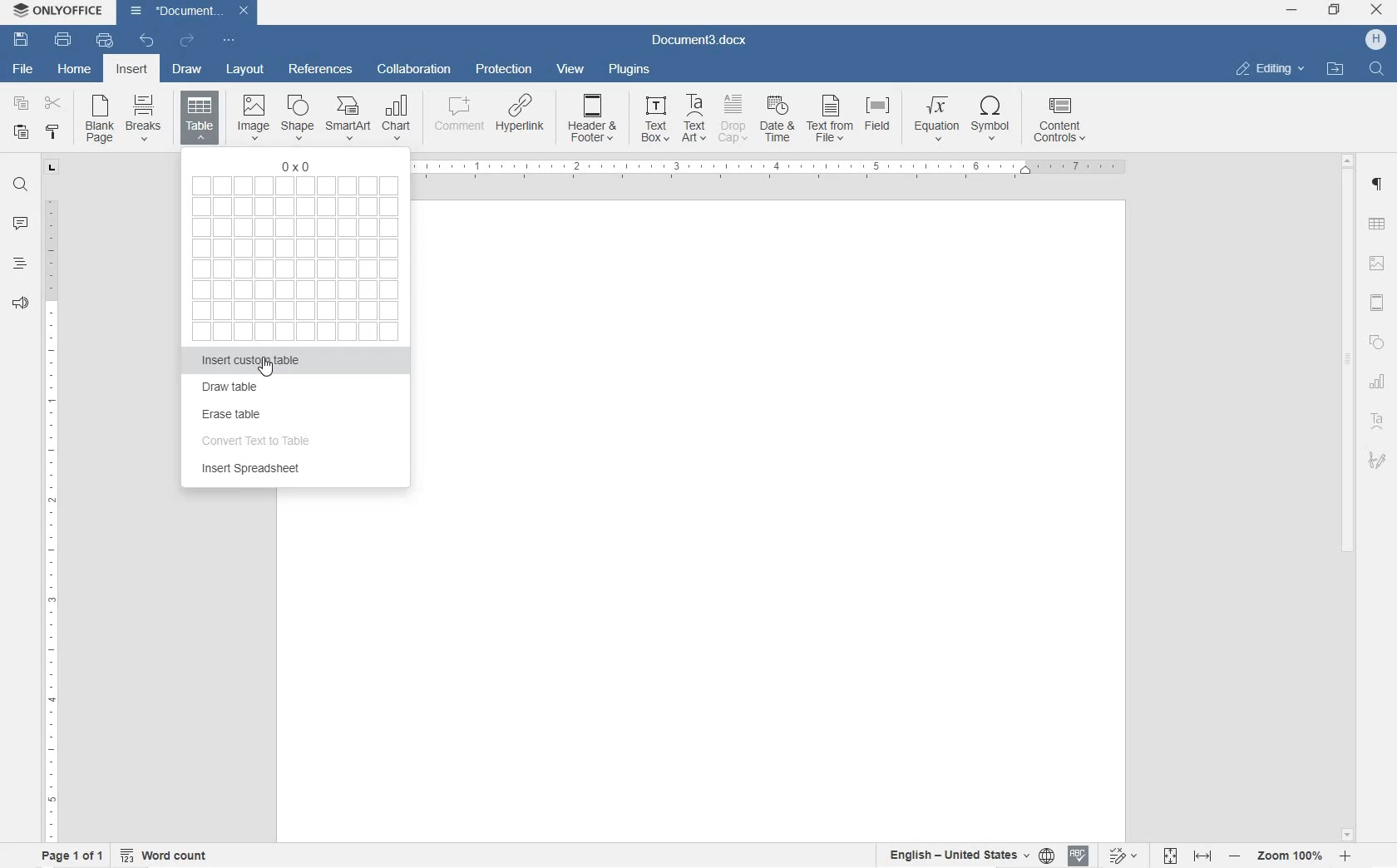 Image resolution: width=1397 pixels, height=868 pixels. What do you see at coordinates (260, 361) in the screenshot?
I see `insert custom table` at bounding box center [260, 361].